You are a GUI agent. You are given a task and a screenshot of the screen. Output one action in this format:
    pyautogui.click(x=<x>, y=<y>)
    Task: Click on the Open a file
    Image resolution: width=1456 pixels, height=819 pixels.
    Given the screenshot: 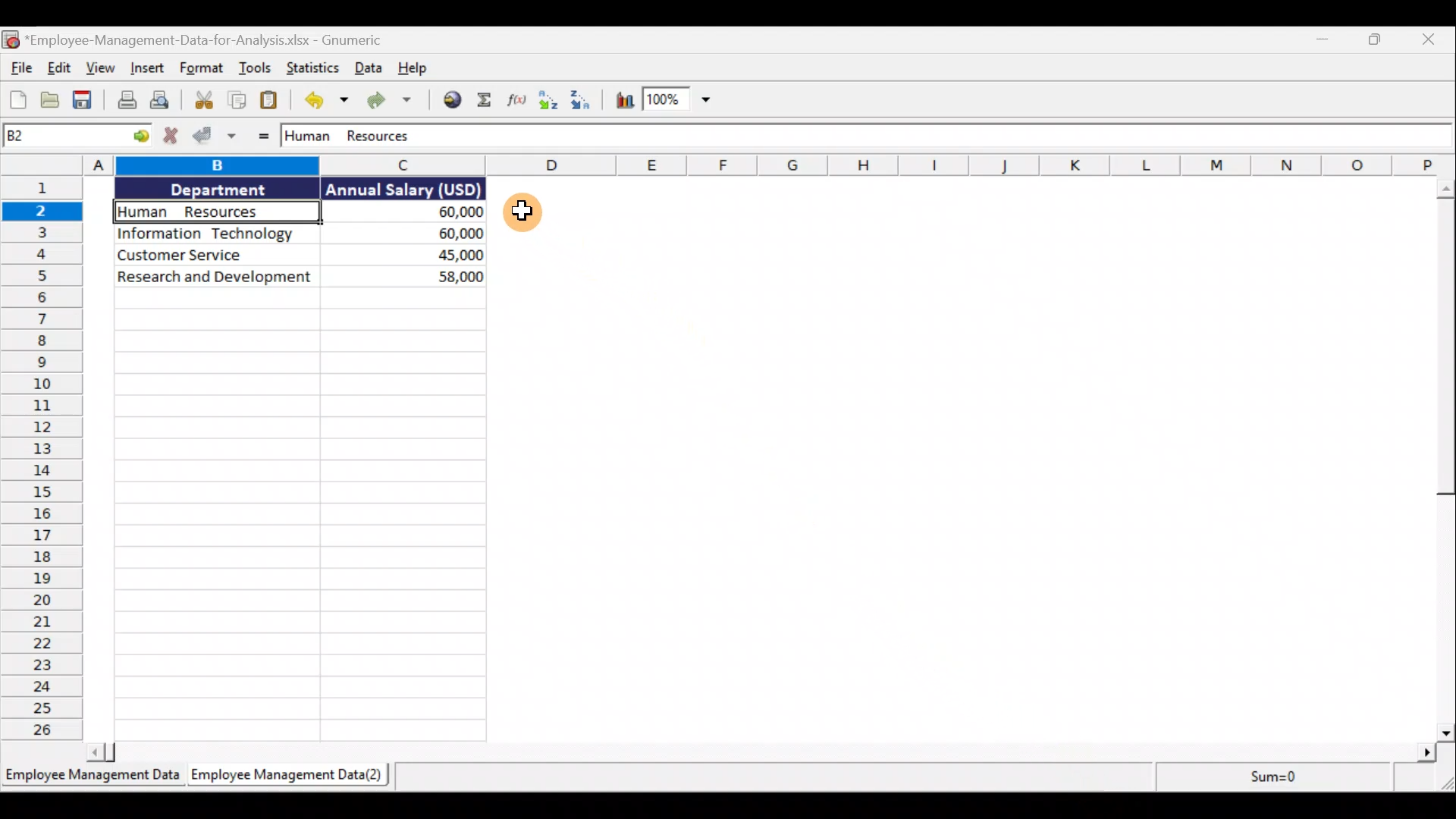 What is the action you would take?
    pyautogui.click(x=53, y=99)
    